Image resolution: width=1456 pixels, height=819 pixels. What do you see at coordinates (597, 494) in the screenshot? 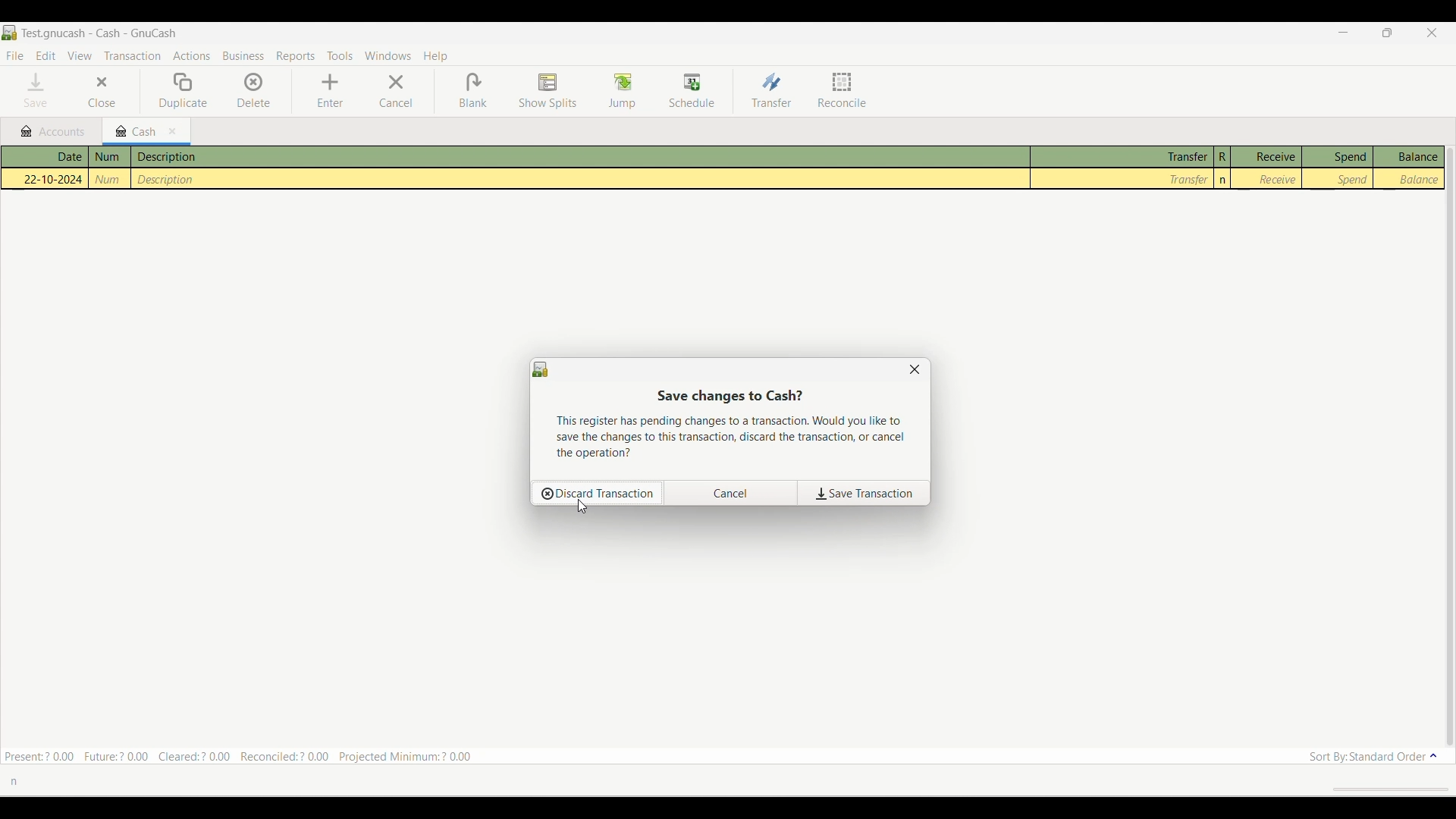
I see `Discard transaction` at bounding box center [597, 494].